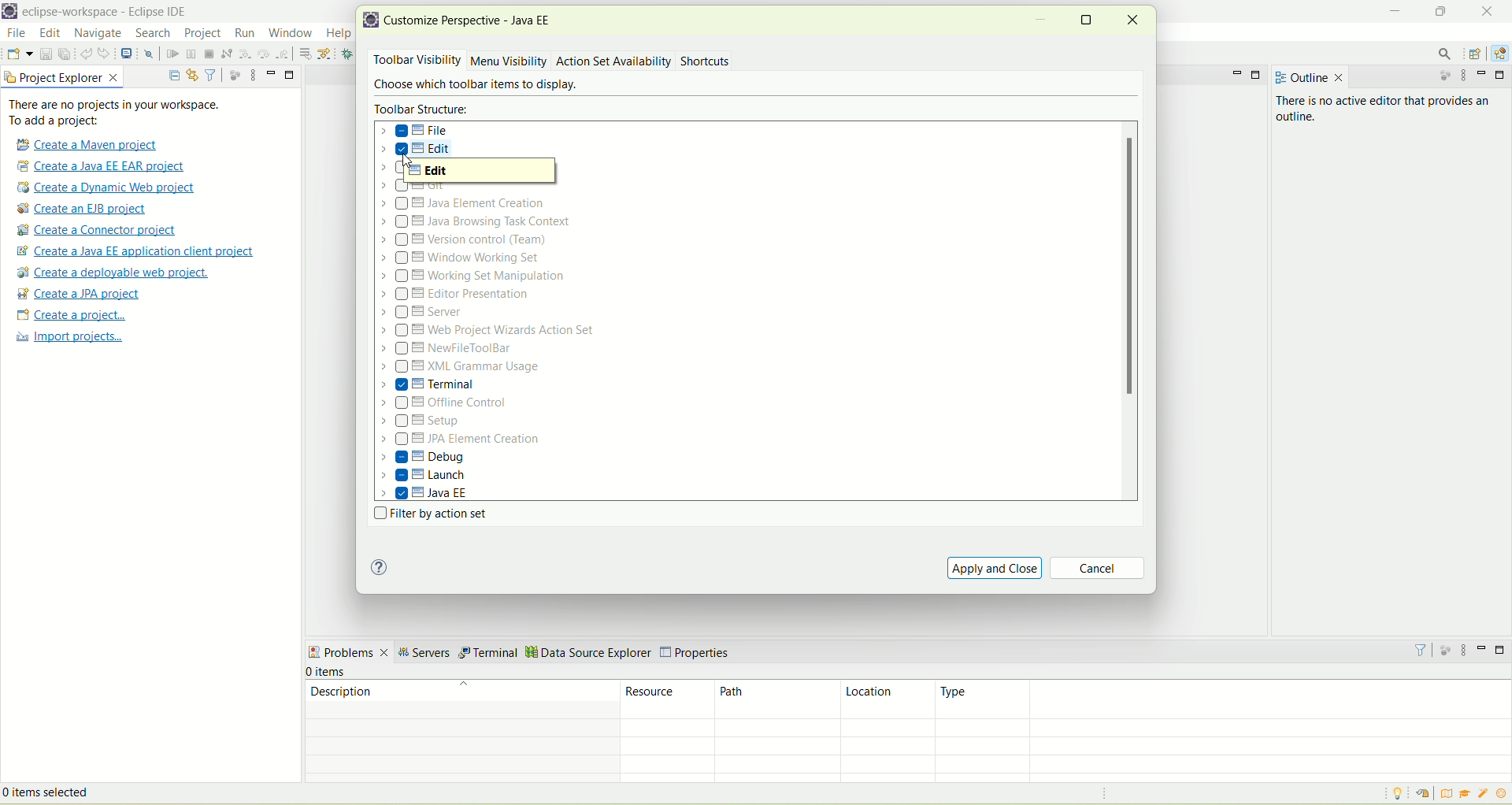 The height and width of the screenshot is (805, 1512). I want to click on redo, so click(105, 54).